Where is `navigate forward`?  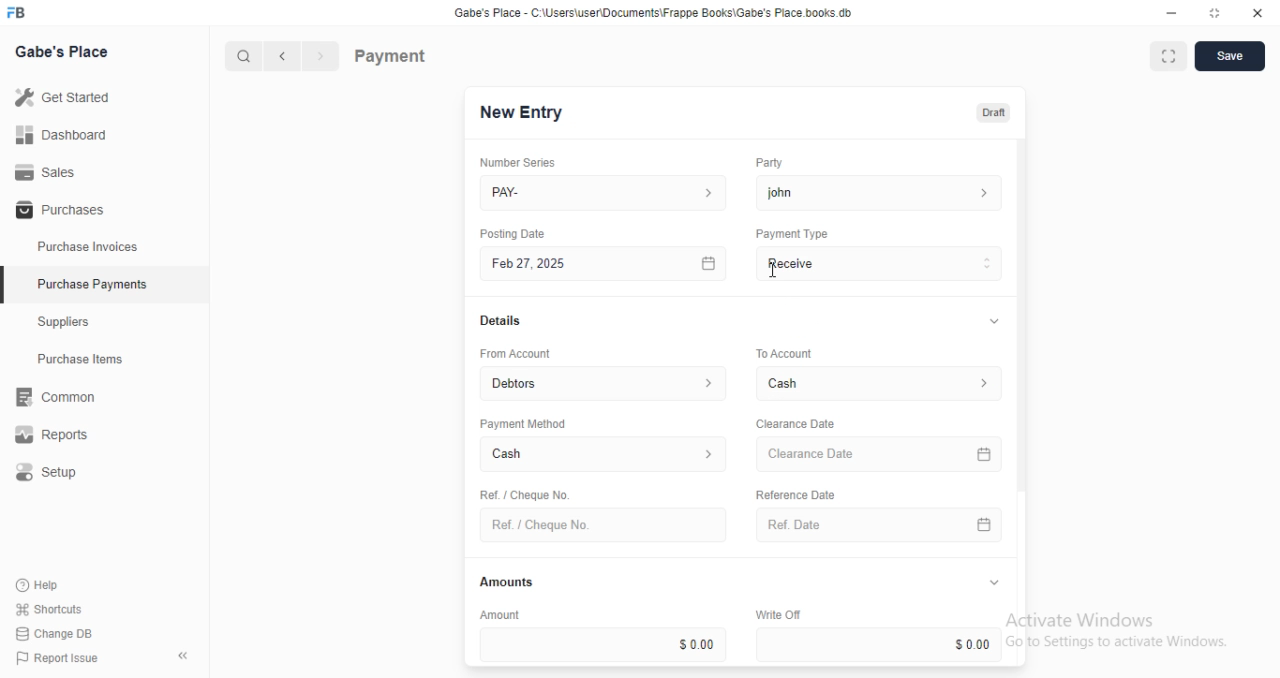 navigate forward is located at coordinates (322, 57).